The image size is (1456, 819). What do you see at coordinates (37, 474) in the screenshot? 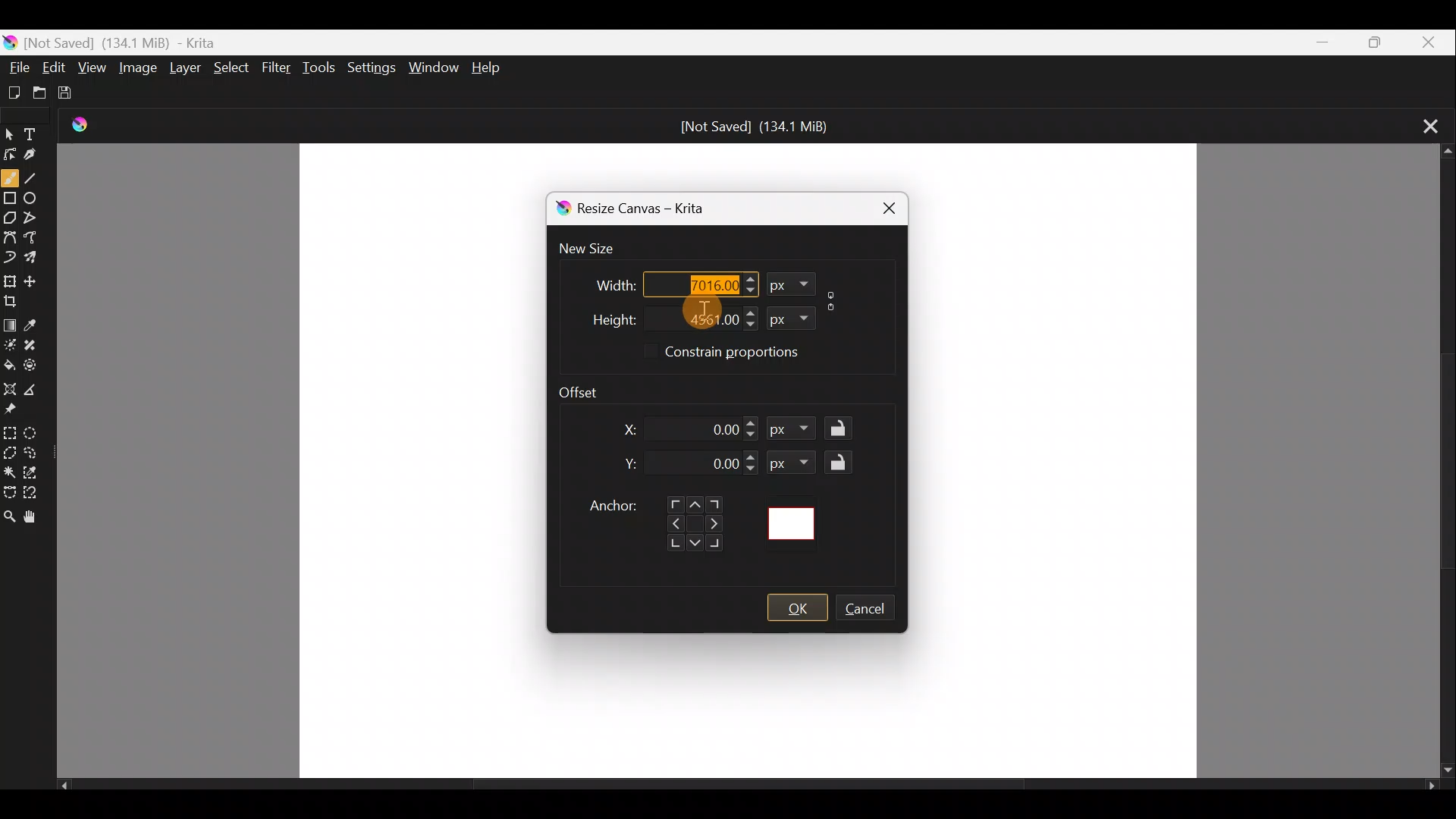
I see `Similar colour selection tool` at bounding box center [37, 474].